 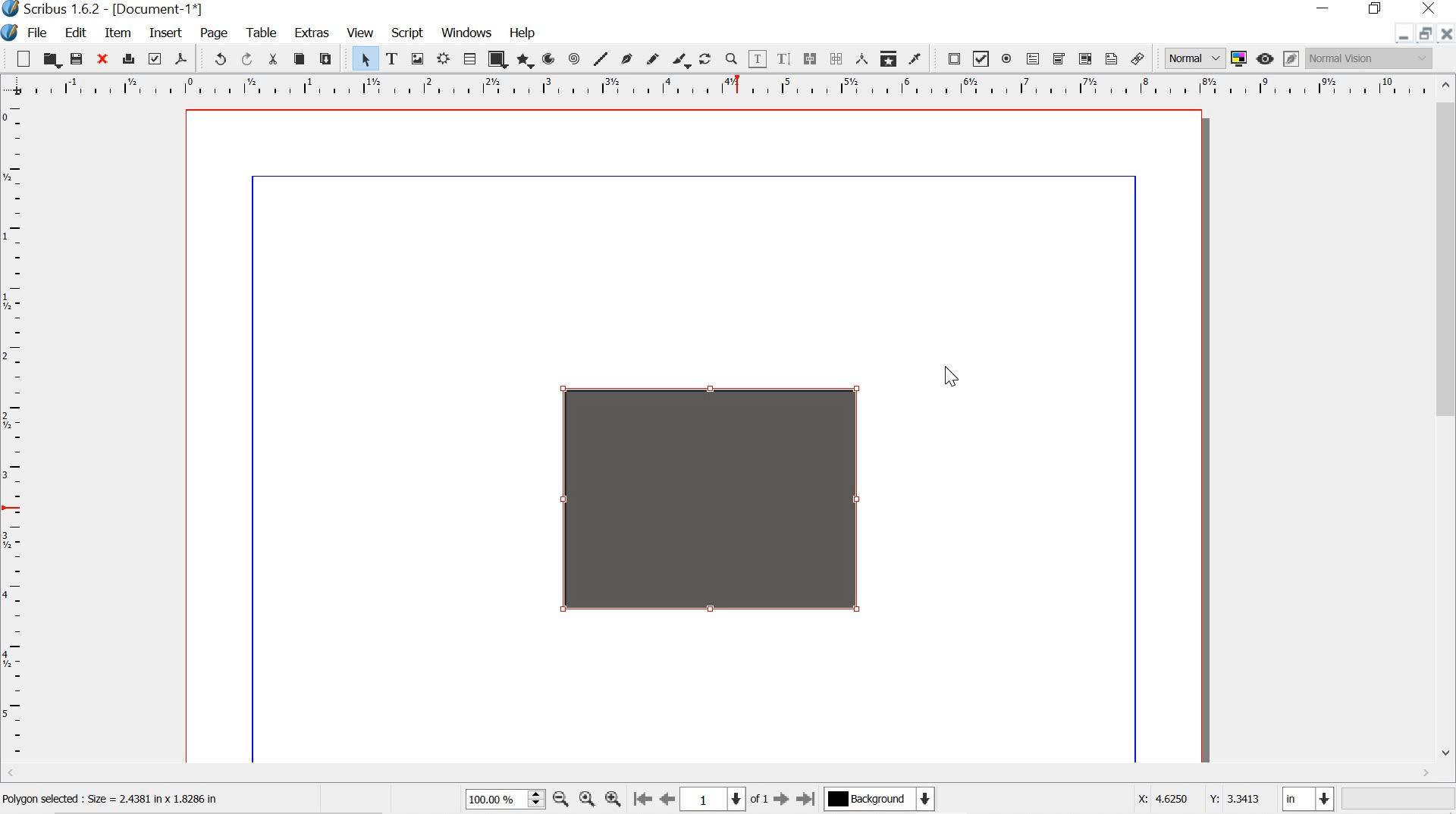 What do you see at coordinates (714, 499) in the screenshot?
I see `transparency added to object` at bounding box center [714, 499].